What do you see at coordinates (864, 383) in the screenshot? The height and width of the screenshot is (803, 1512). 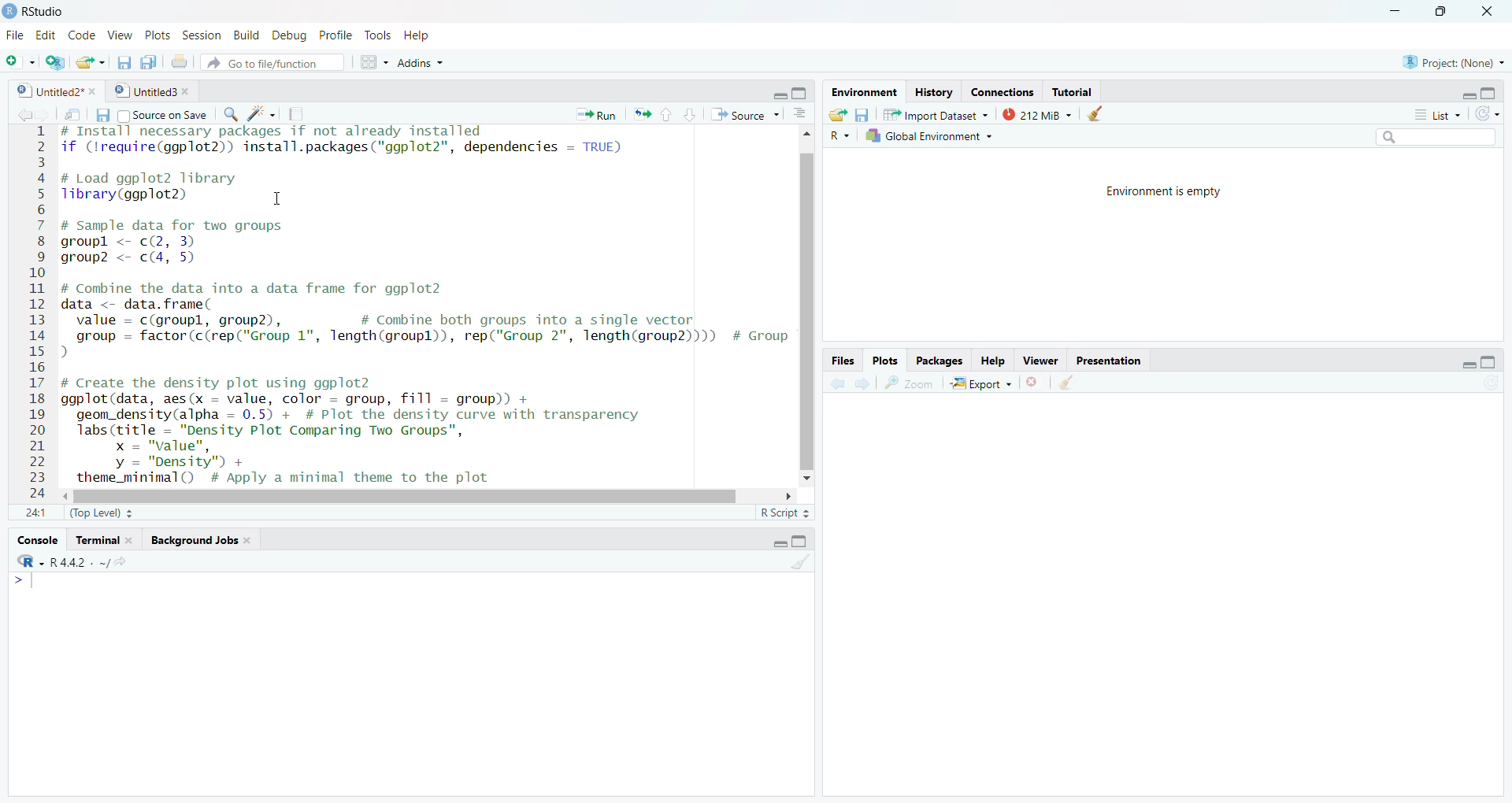 I see `next` at bounding box center [864, 383].